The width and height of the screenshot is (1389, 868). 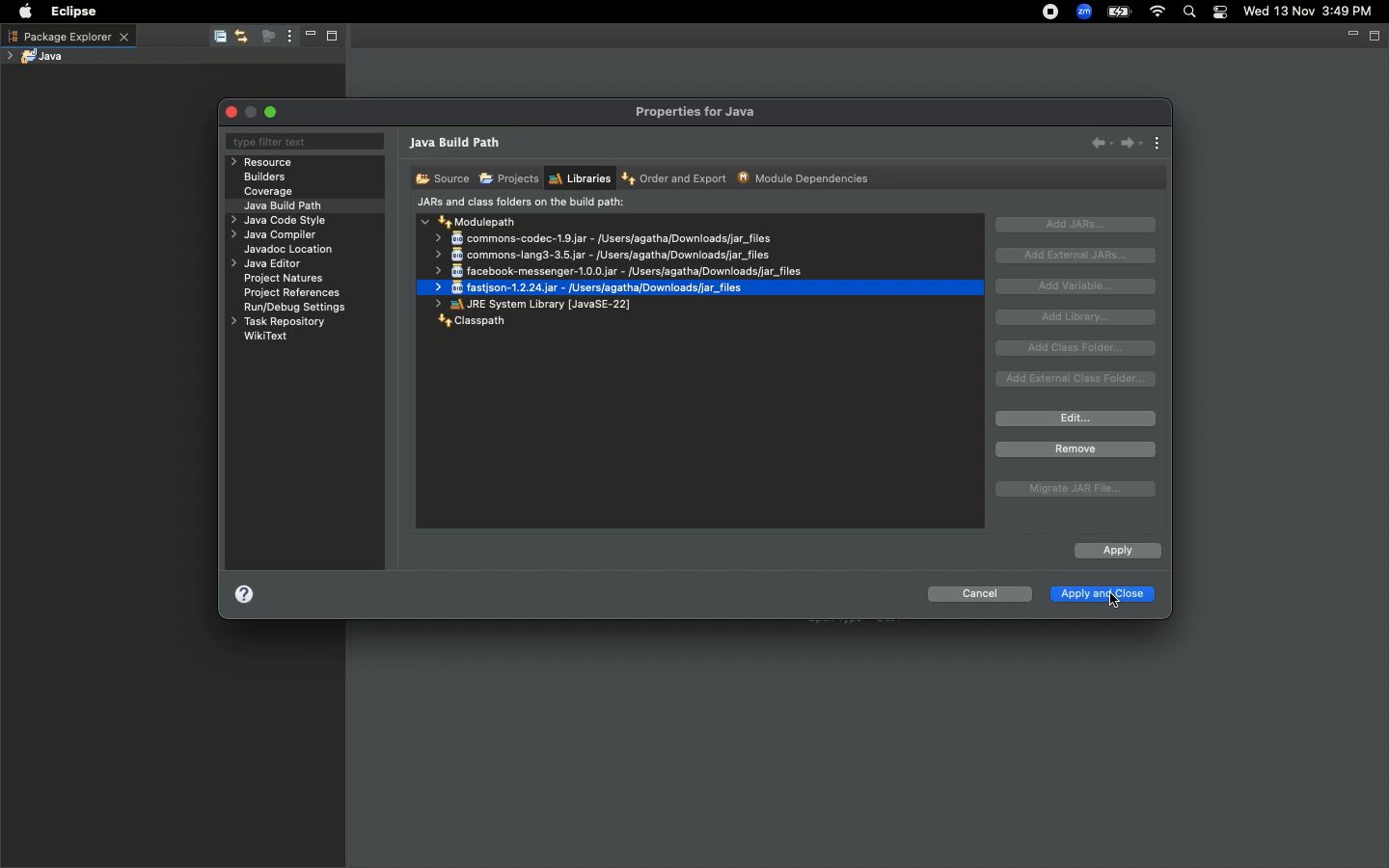 I want to click on Recording, so click(x=1051, y=14).